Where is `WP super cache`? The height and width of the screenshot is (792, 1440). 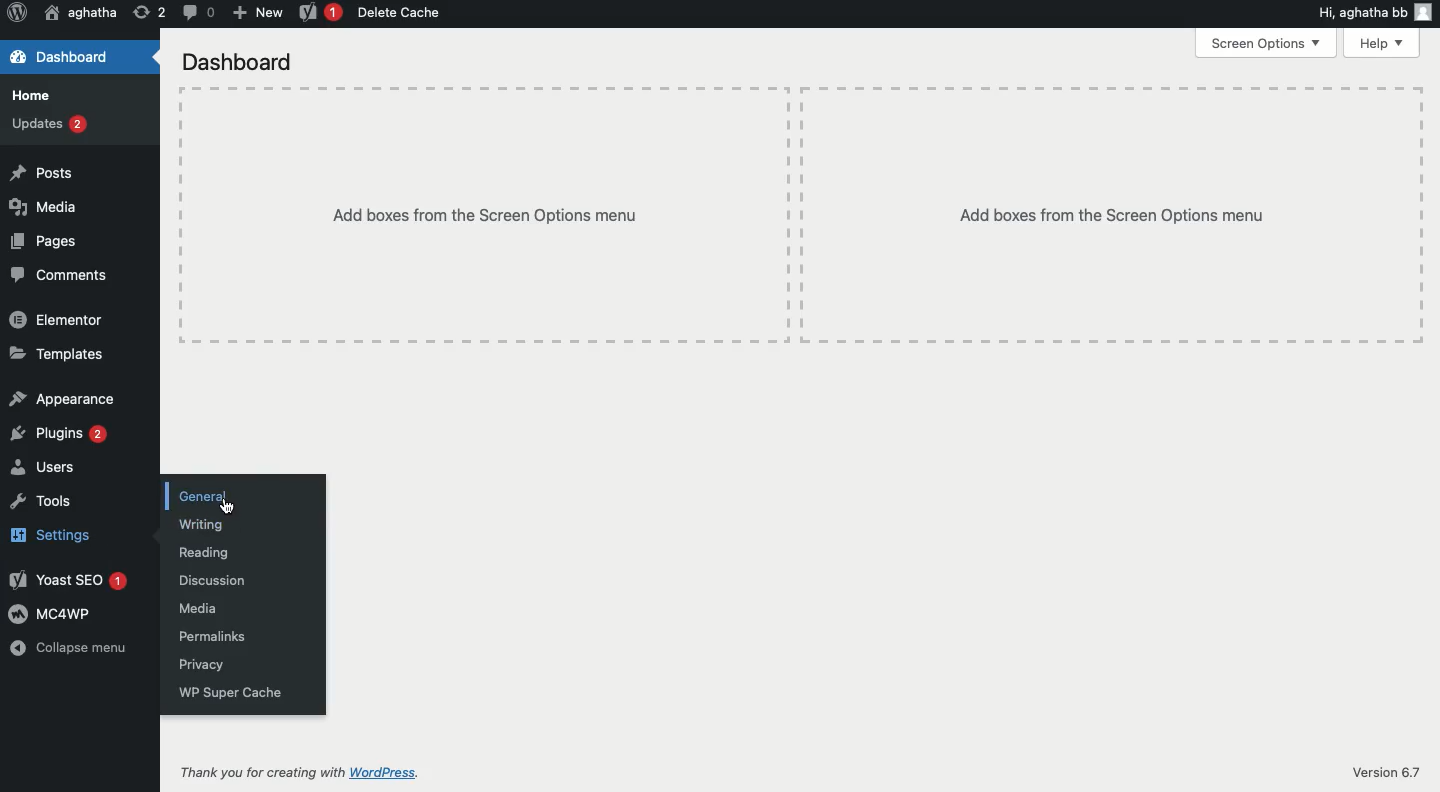
WP super cache is located at coordinates (226, 691).